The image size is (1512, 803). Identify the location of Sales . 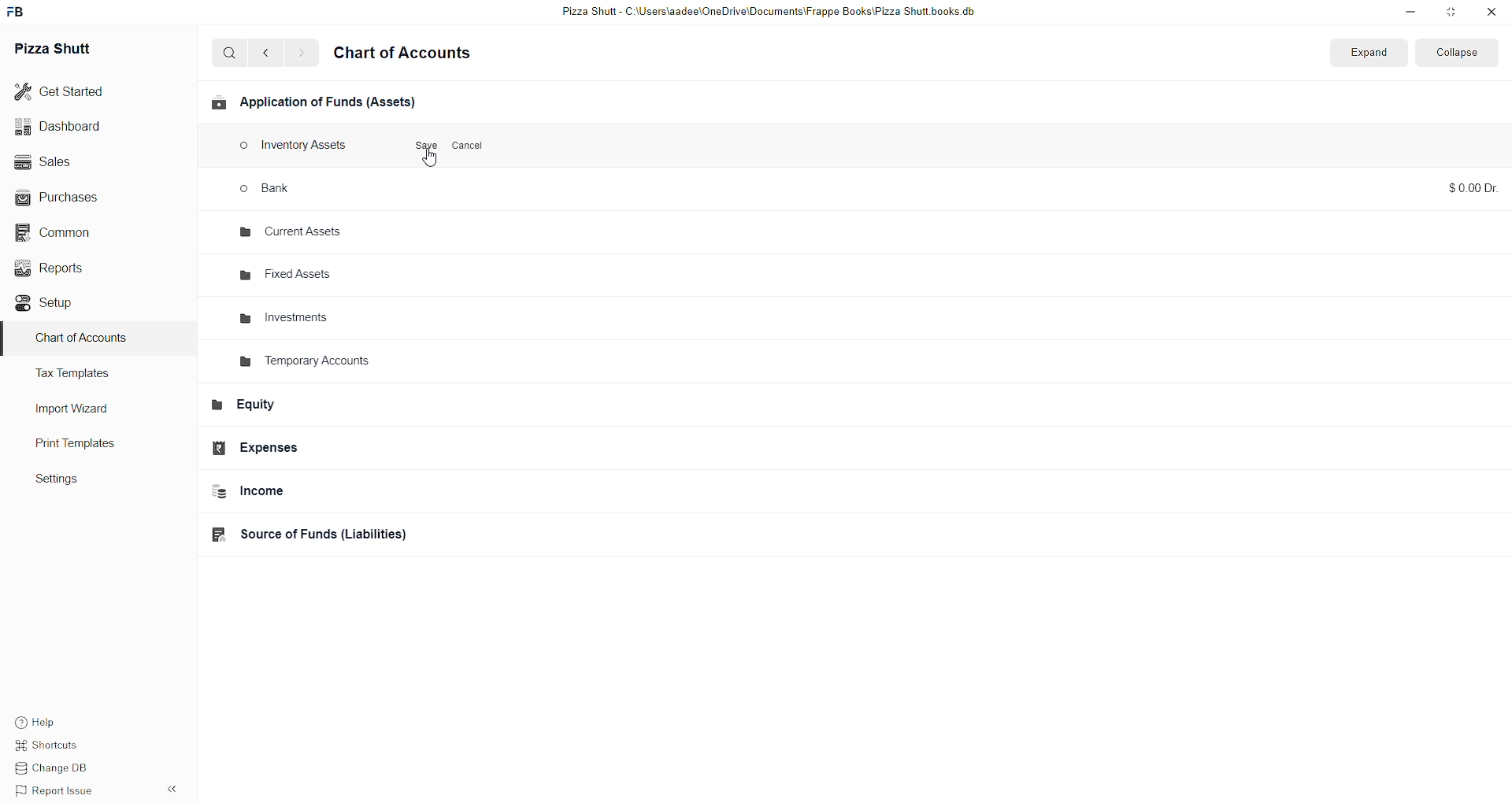
(68, 163).